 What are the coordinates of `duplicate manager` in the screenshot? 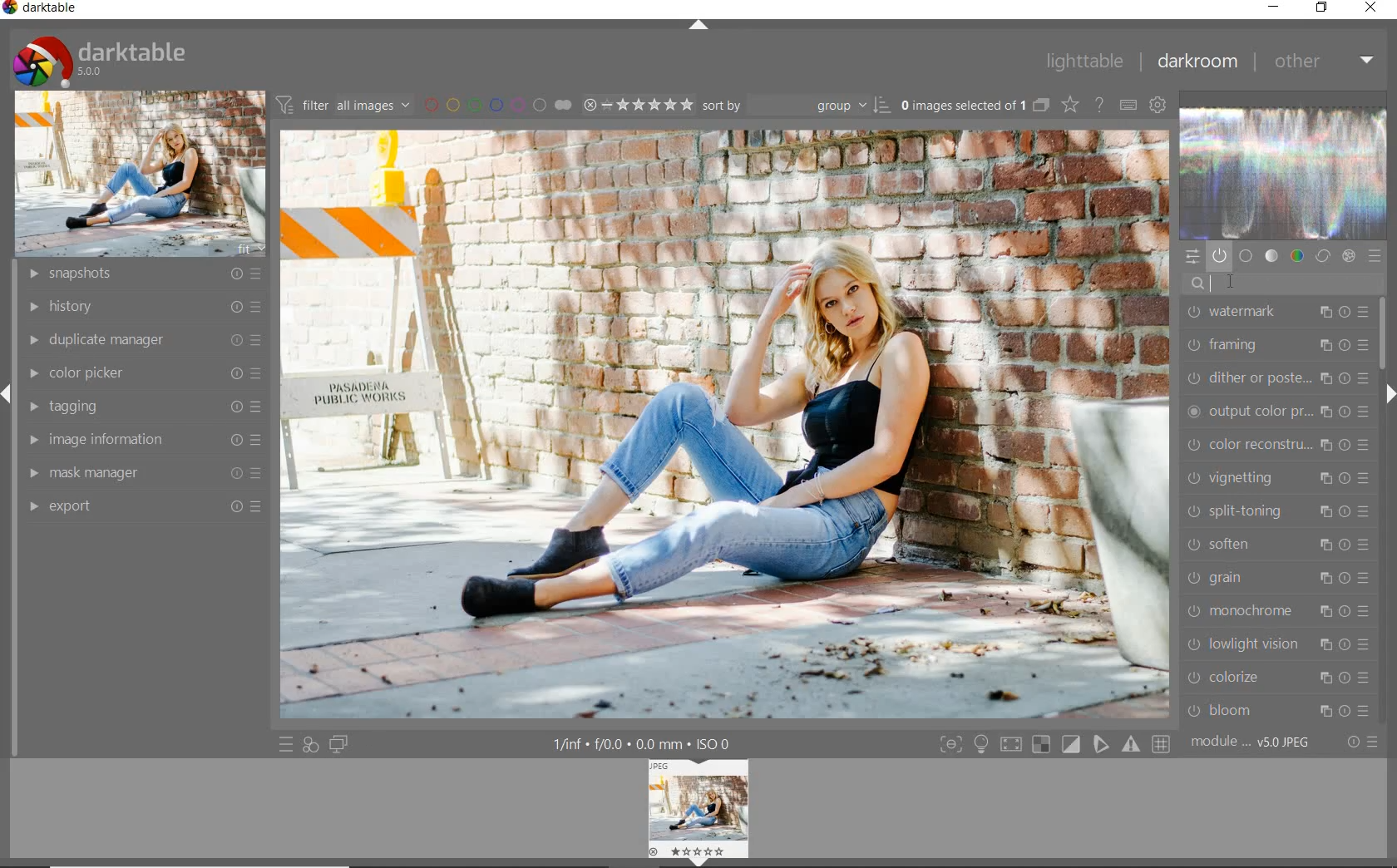 It's located at (140, 341).